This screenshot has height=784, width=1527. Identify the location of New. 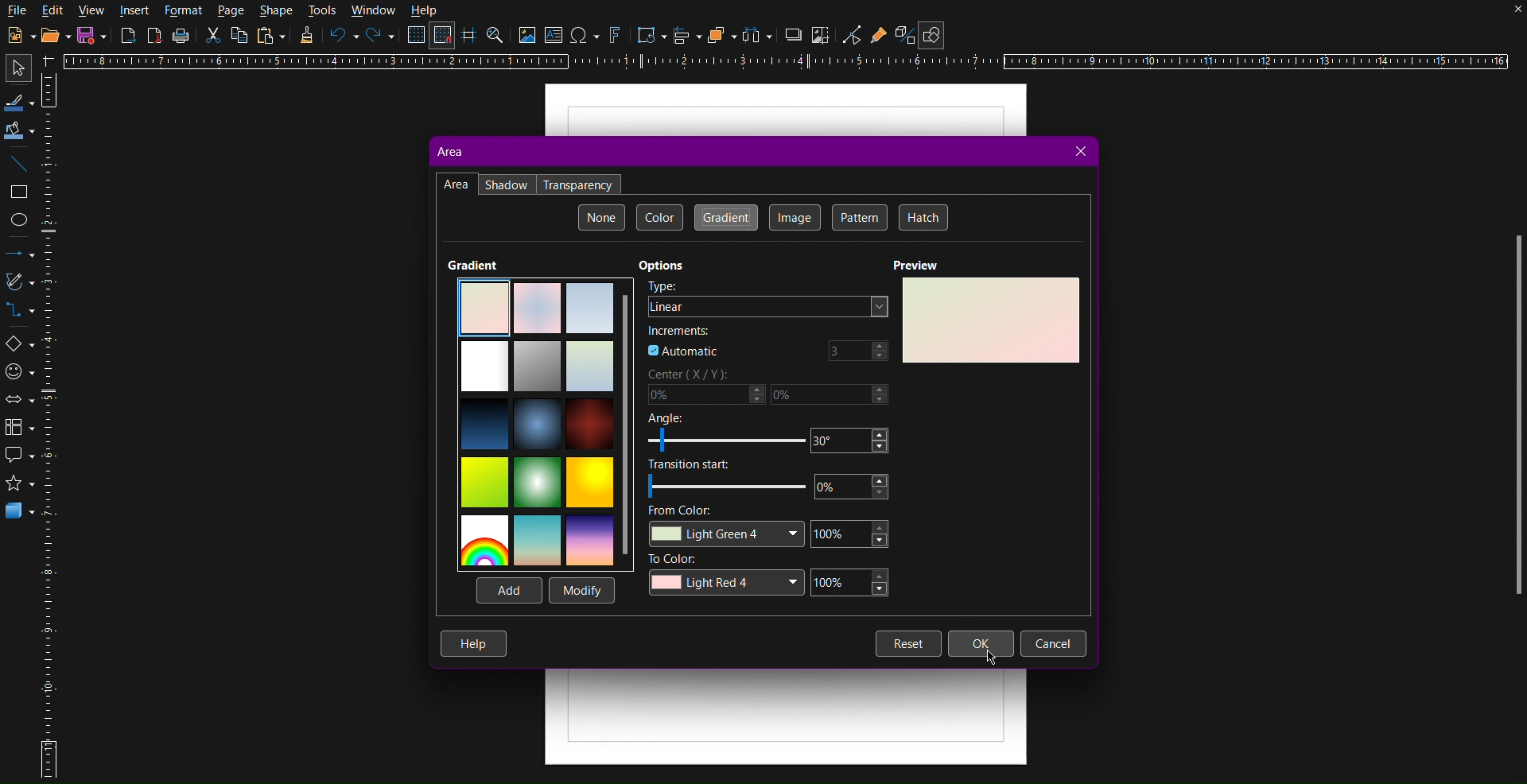
(17, 35).